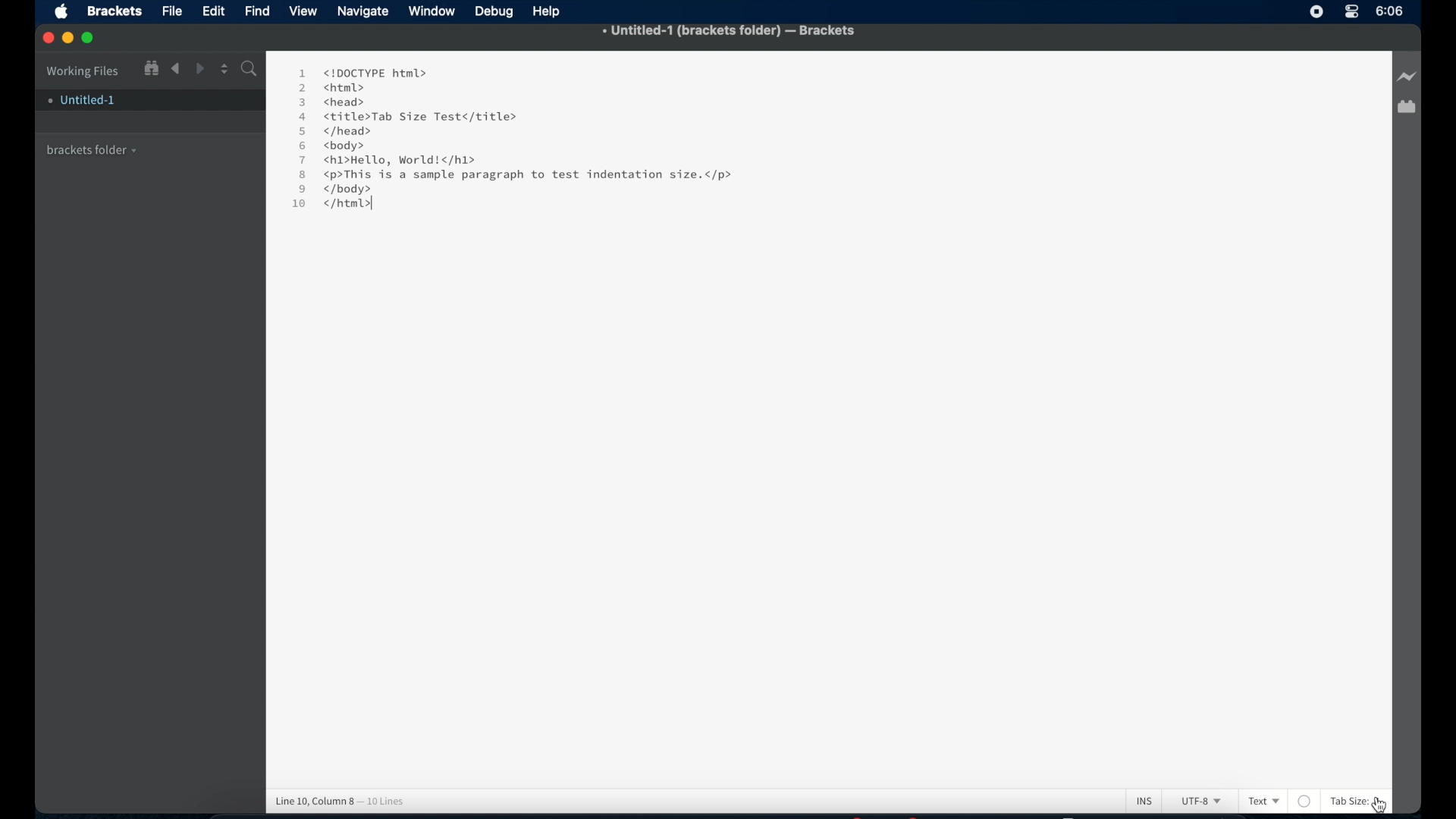  I want to click on Brackets, so click(113, 10).